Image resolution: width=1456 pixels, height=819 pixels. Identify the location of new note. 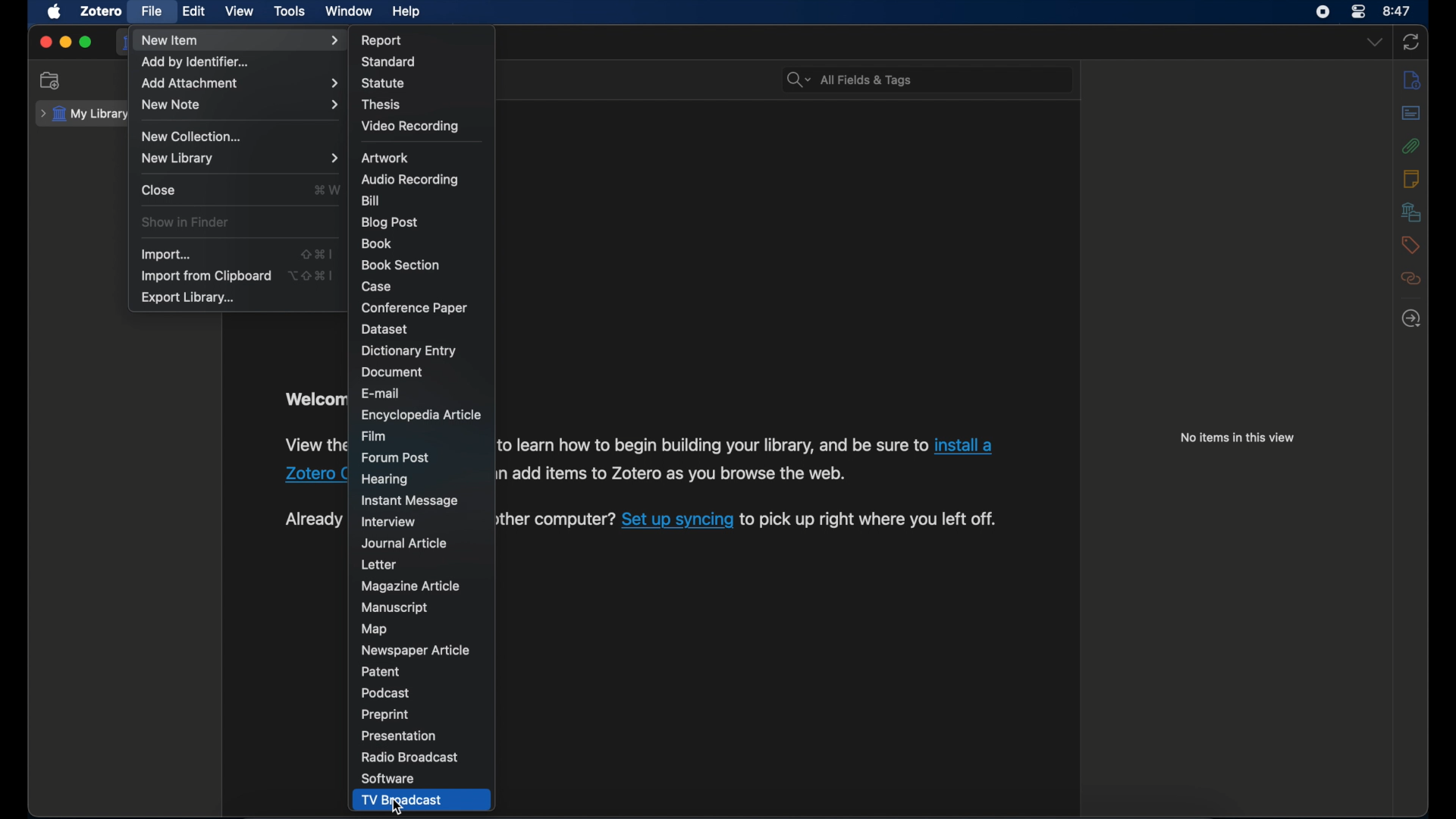
(240, 105).